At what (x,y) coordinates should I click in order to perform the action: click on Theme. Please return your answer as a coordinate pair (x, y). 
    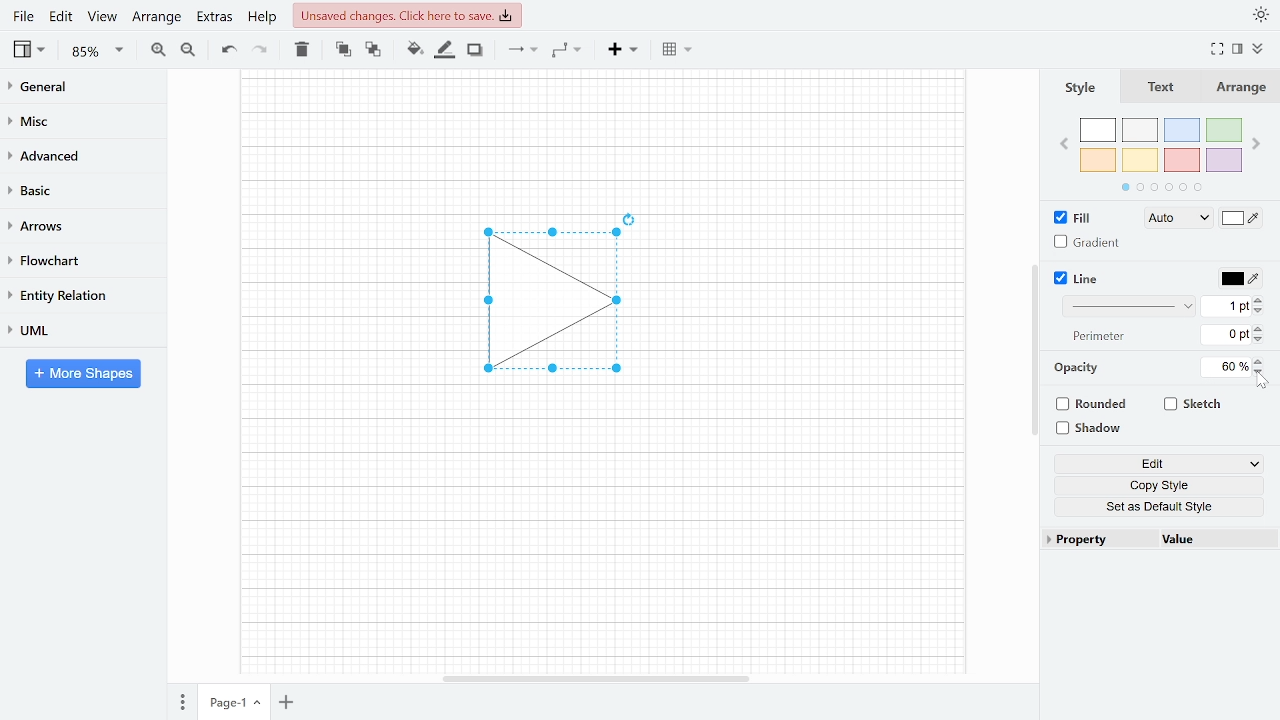
    Looking at the image, I should click on (1262, 14).